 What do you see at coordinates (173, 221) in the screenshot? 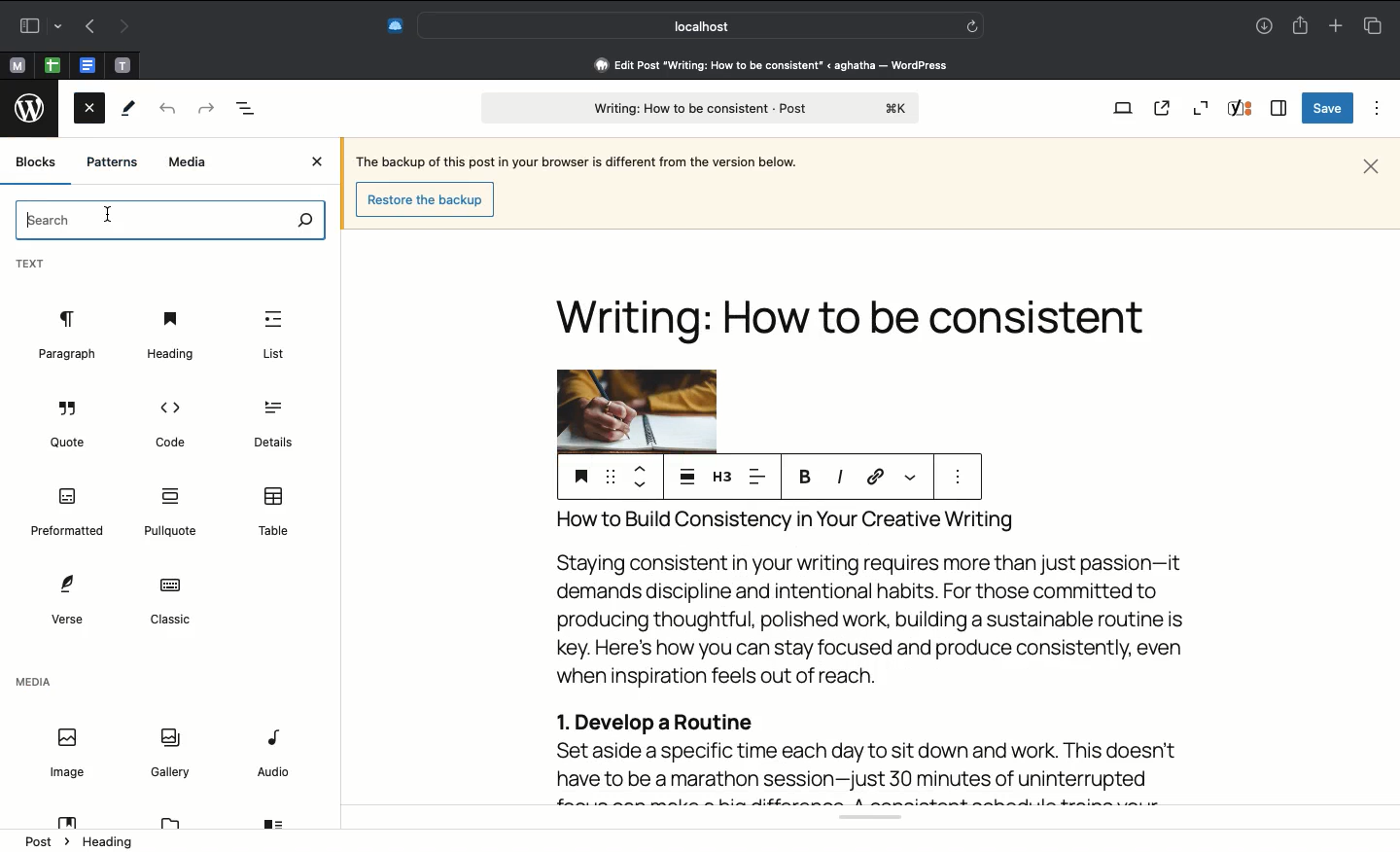
I see `Typing` at bounding box center [173, 221].